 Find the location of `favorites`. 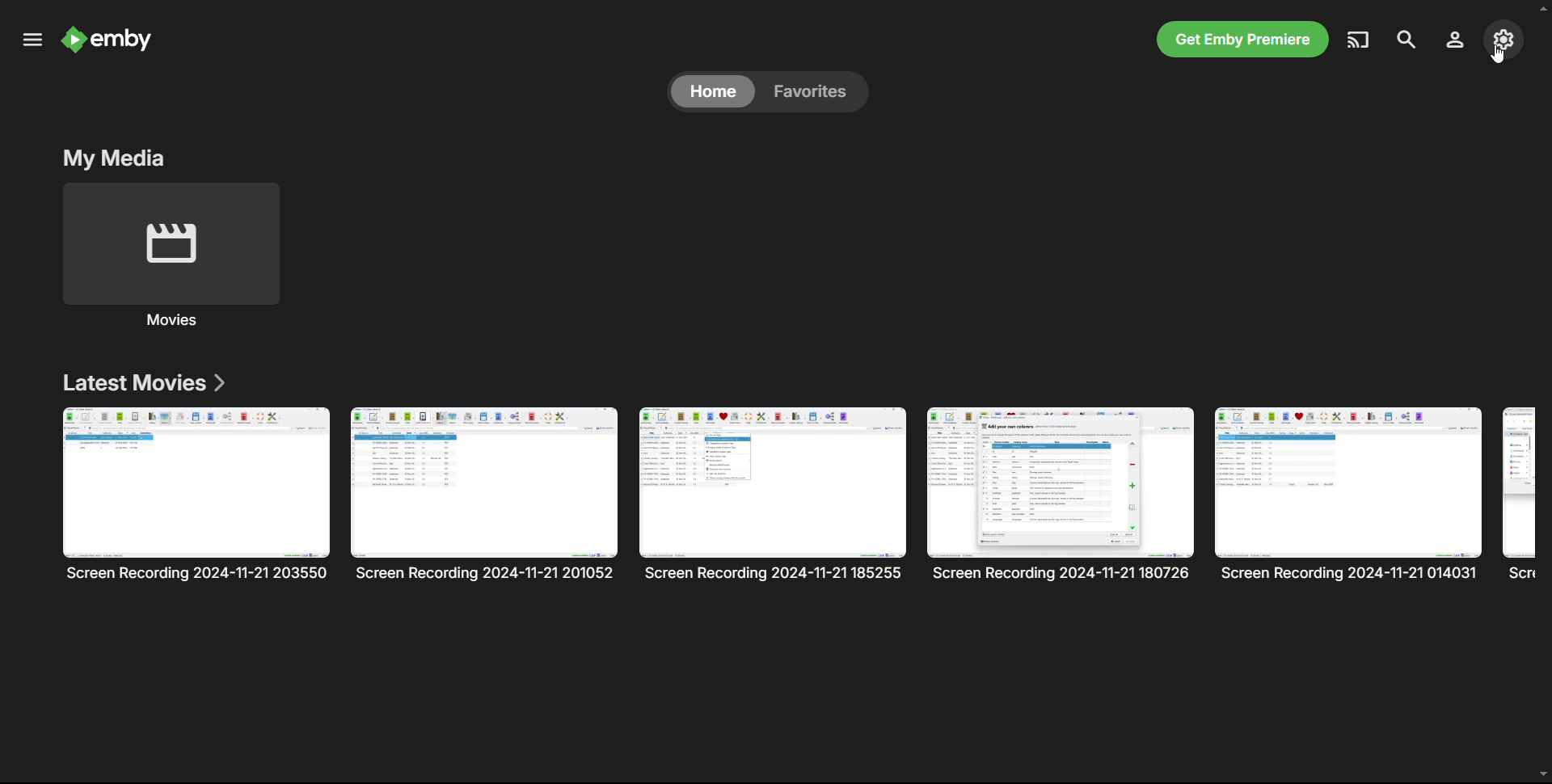

favorites is located at coordinates (812, 92).